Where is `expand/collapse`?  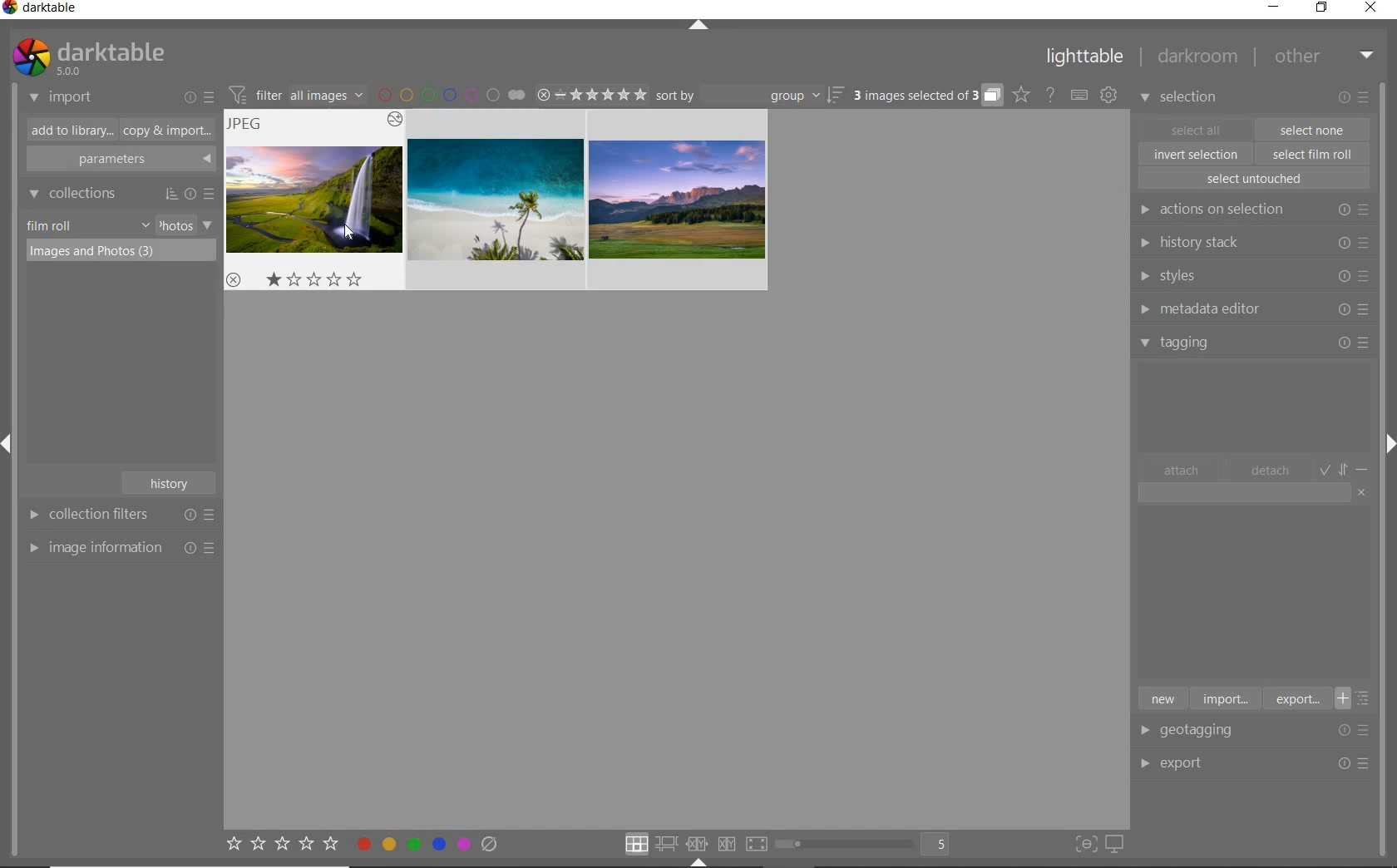
expand/collapse is located at coordinates (699, 27).